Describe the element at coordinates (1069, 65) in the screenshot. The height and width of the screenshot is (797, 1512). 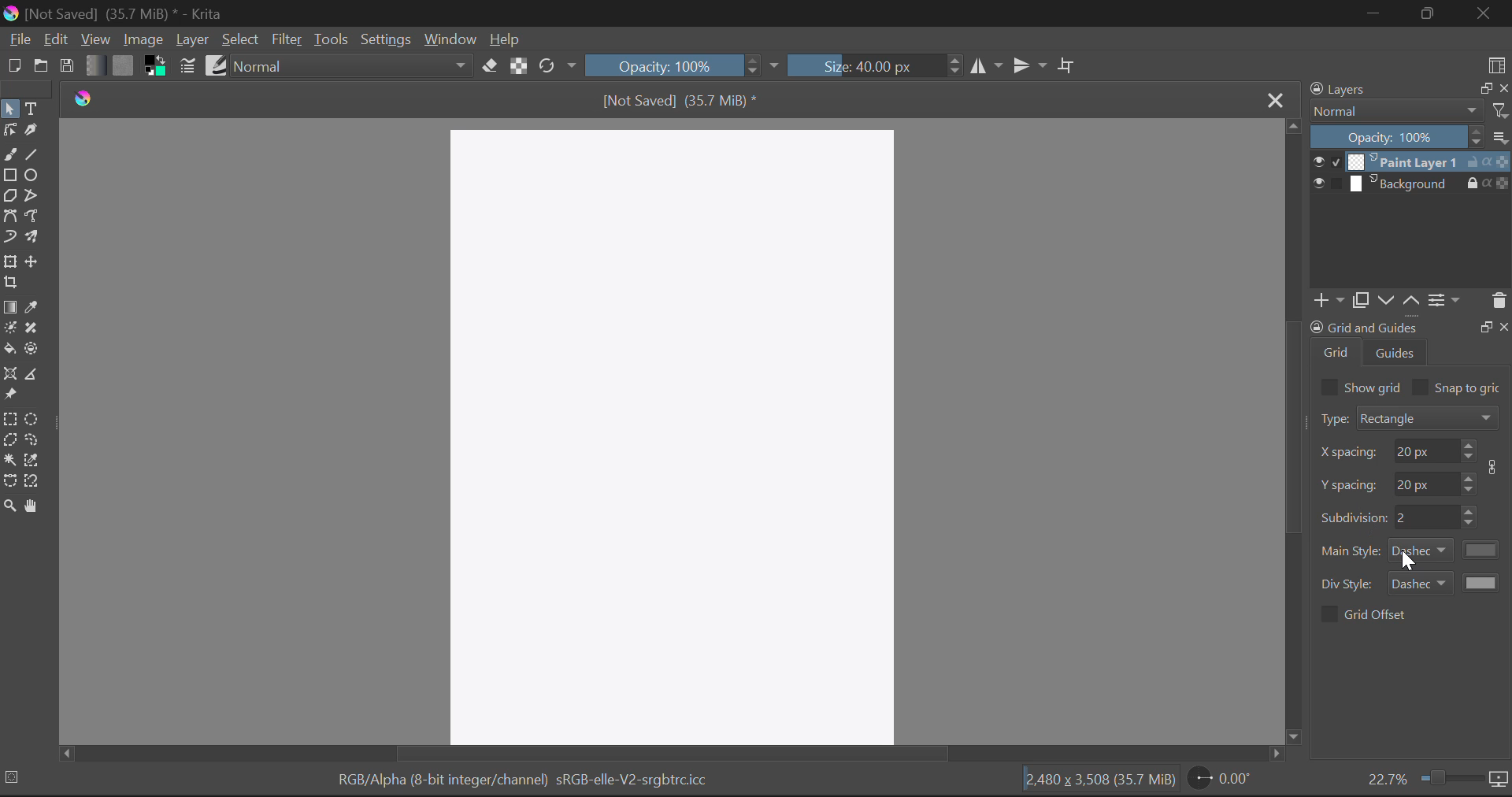
I see `Crop` at that location.